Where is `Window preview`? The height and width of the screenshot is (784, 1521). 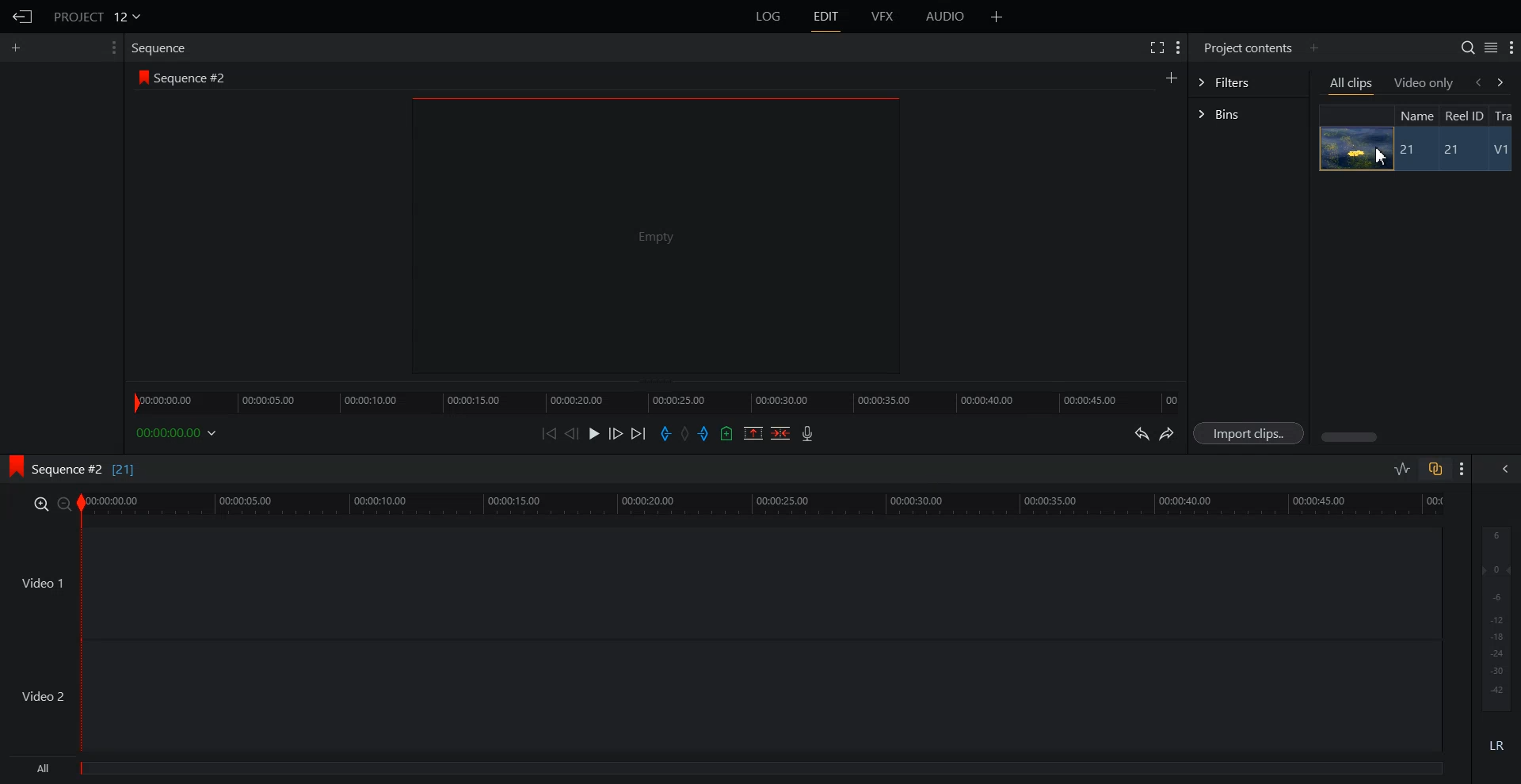 Window preview is located at coordinates (651, 234).